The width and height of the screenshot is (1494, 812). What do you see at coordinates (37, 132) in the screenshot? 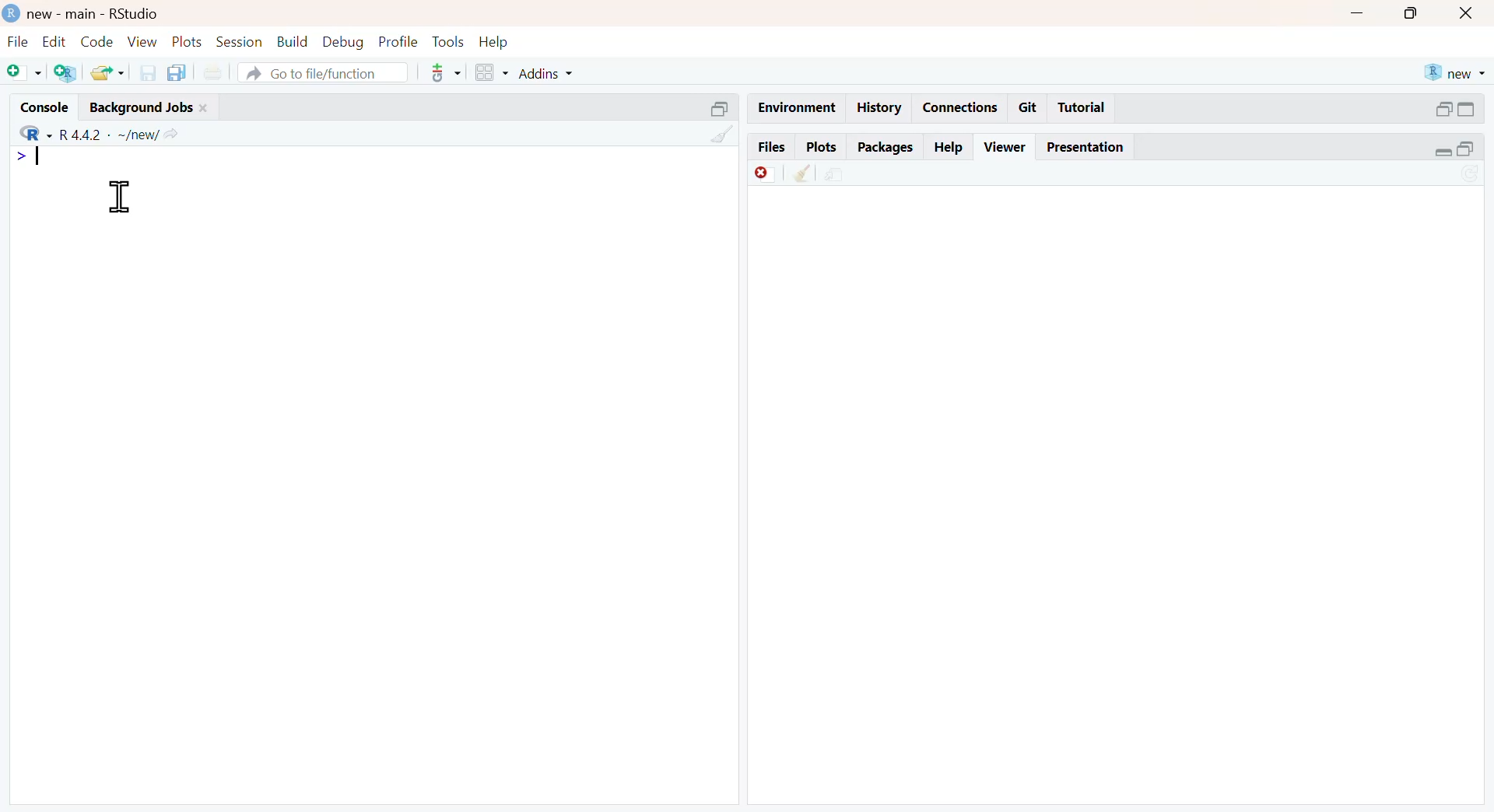
I see `R` at bounding box center [37, 132].